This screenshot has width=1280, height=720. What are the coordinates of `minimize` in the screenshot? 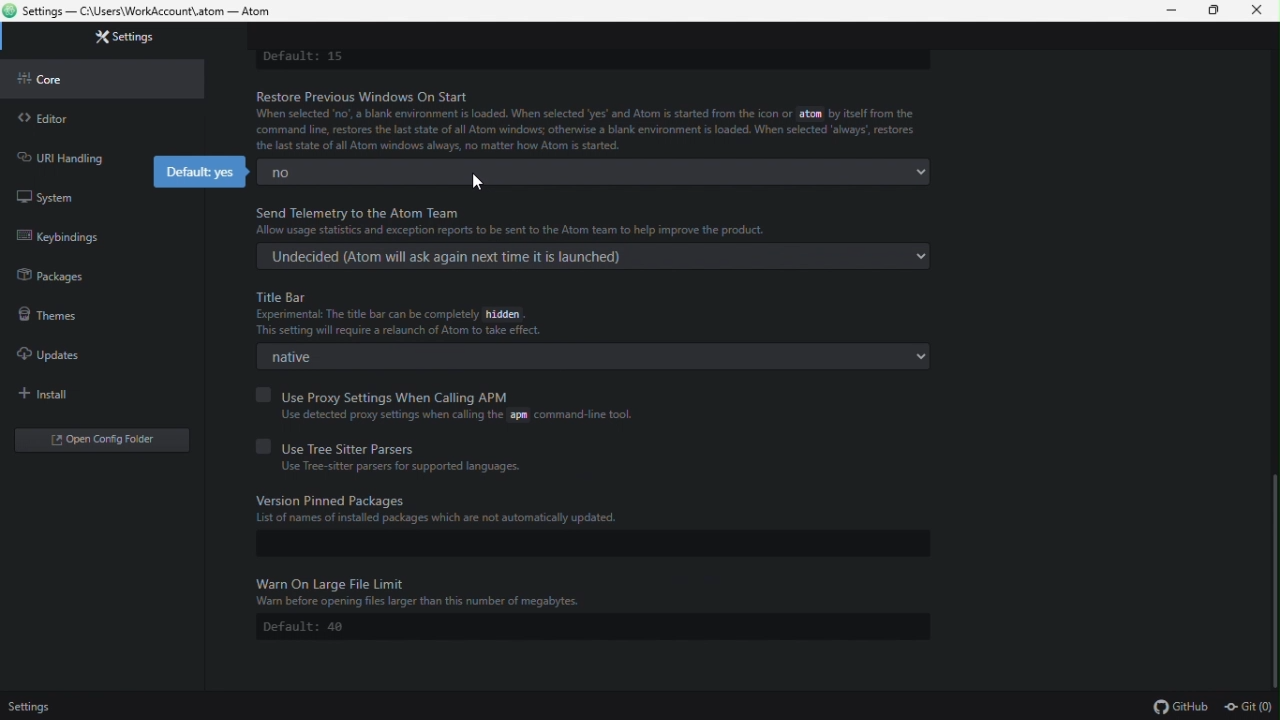 It's located at (1174, 11).